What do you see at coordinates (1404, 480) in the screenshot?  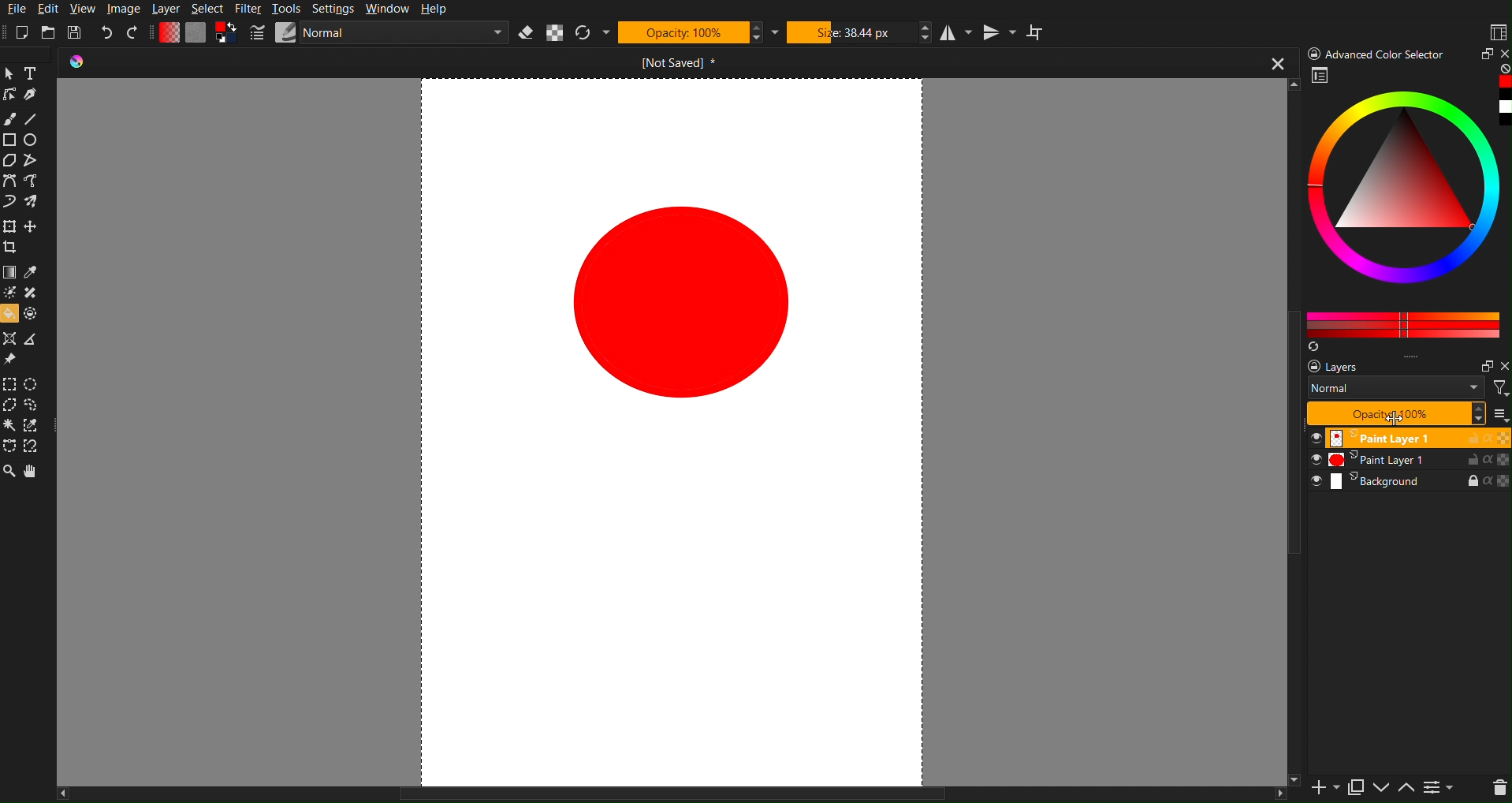 I see `Background` at bounding box center [1404, 480].